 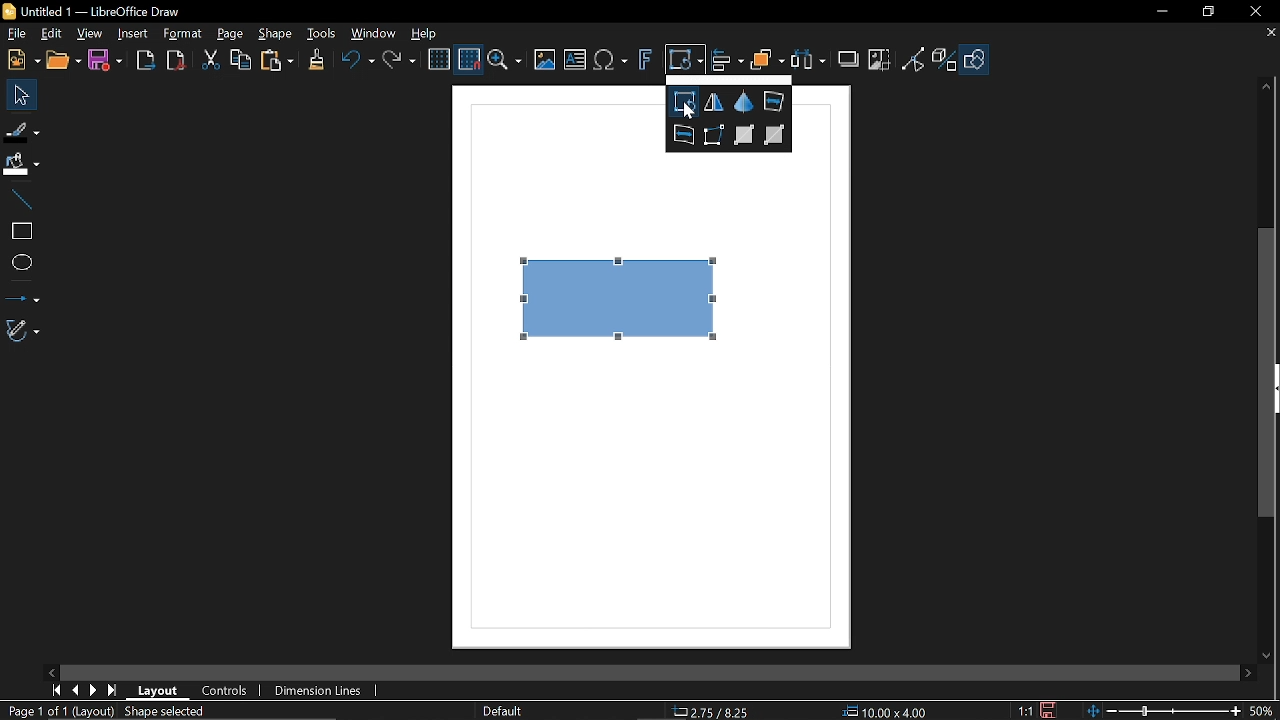 I want to click on Close tab, so click(x=1269, y=34).